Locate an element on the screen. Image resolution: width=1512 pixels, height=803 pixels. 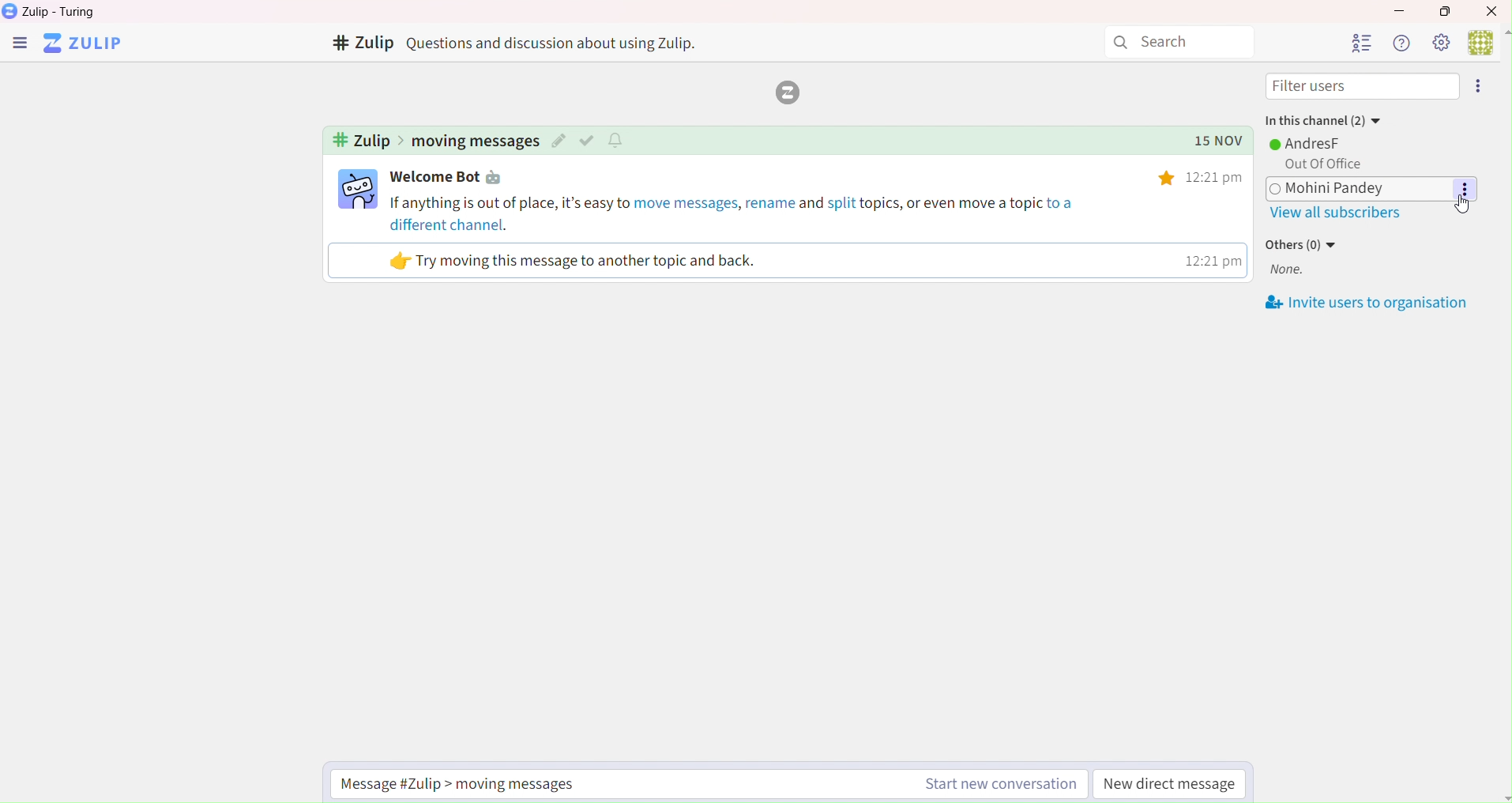
Zulip - Turing is located at coordinates (63, 12).